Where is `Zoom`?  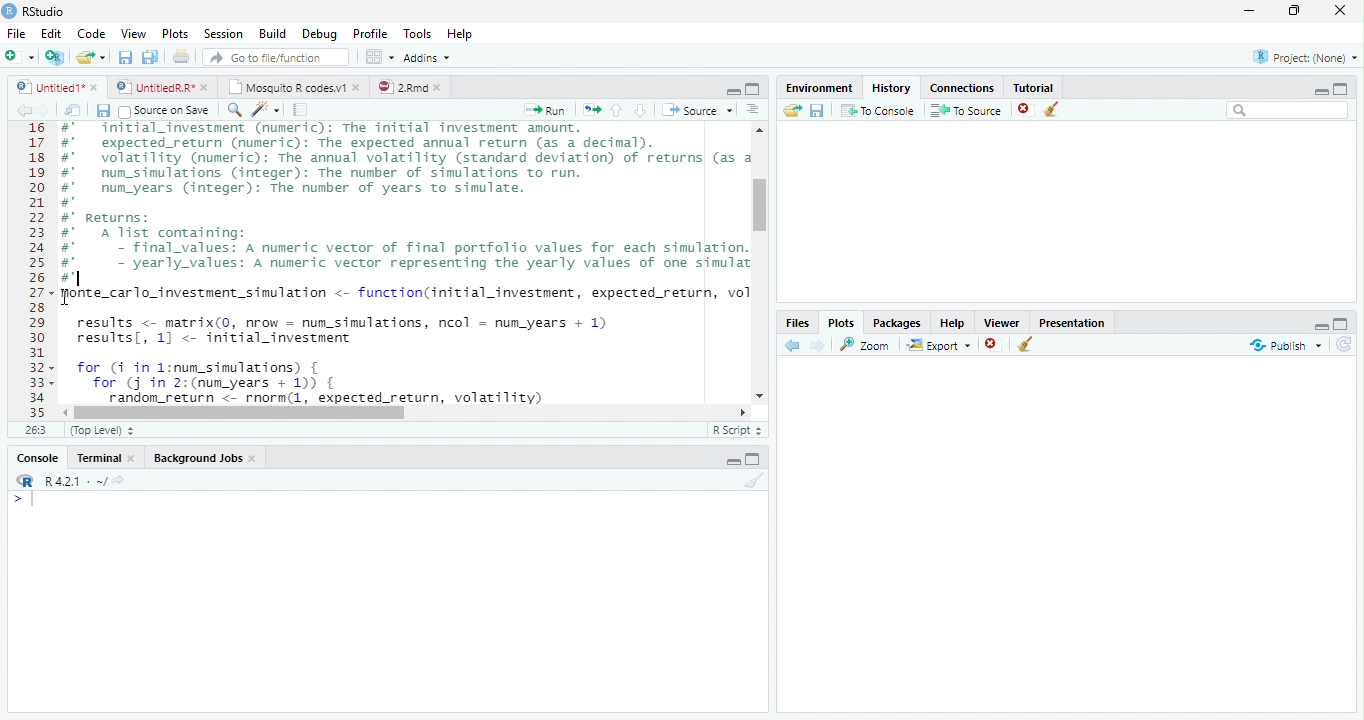 Zoom is located at coordinates (866, 344).